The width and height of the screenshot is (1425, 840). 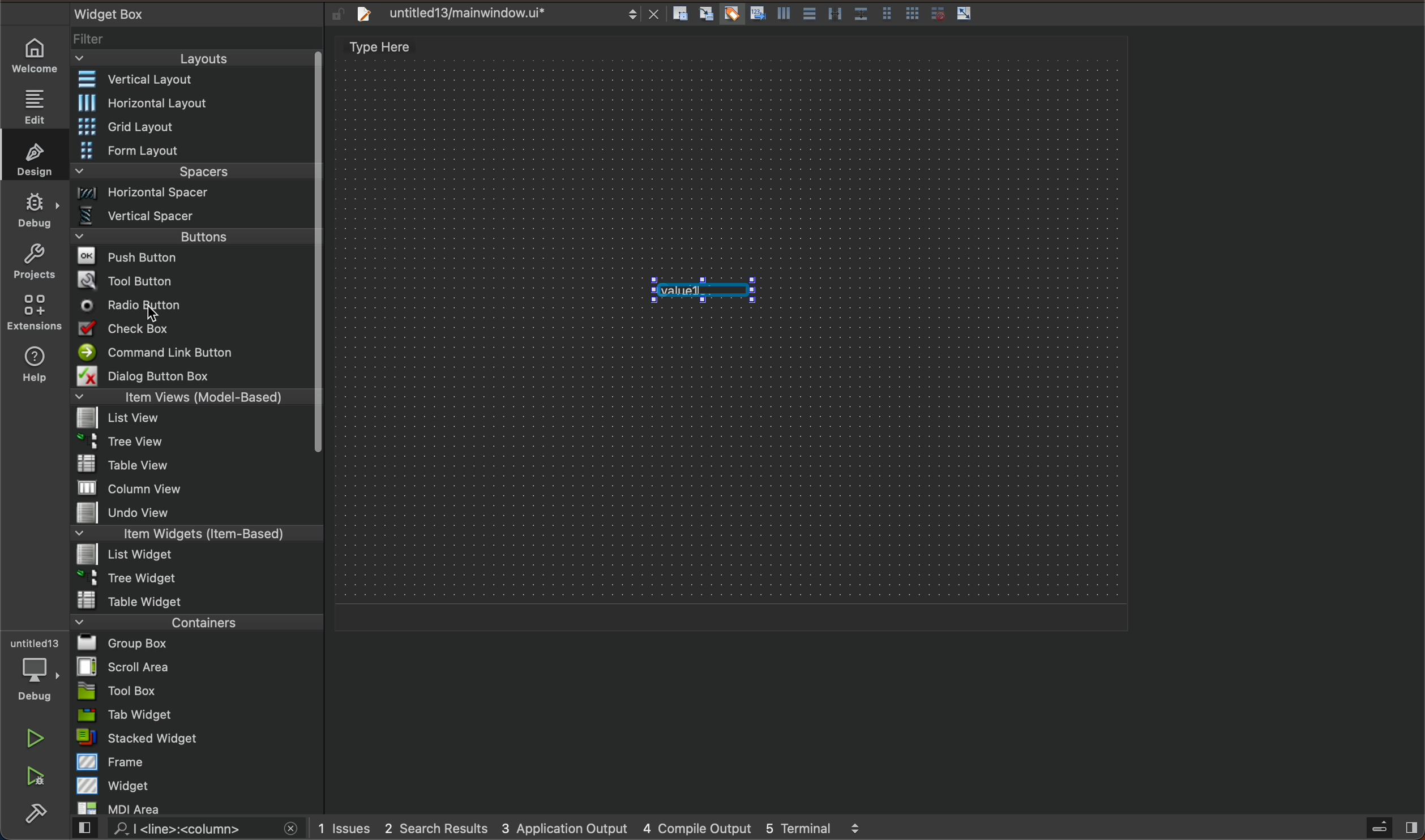 What do you see at coordinates (192, 259) in the screenshot?
I see `push button` at bounding box center [192, 259].